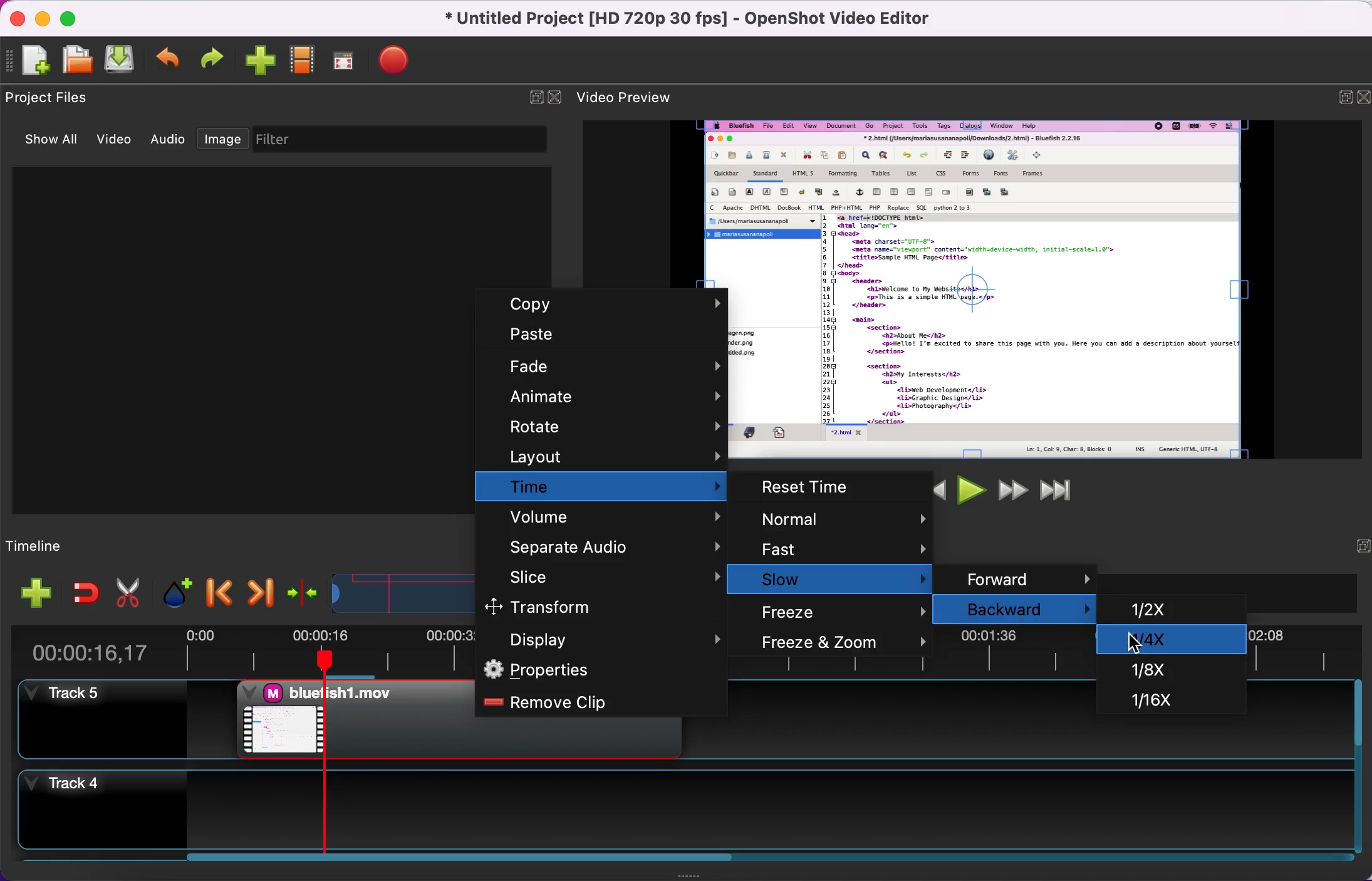  I want to click on cut, so click(128, 590).